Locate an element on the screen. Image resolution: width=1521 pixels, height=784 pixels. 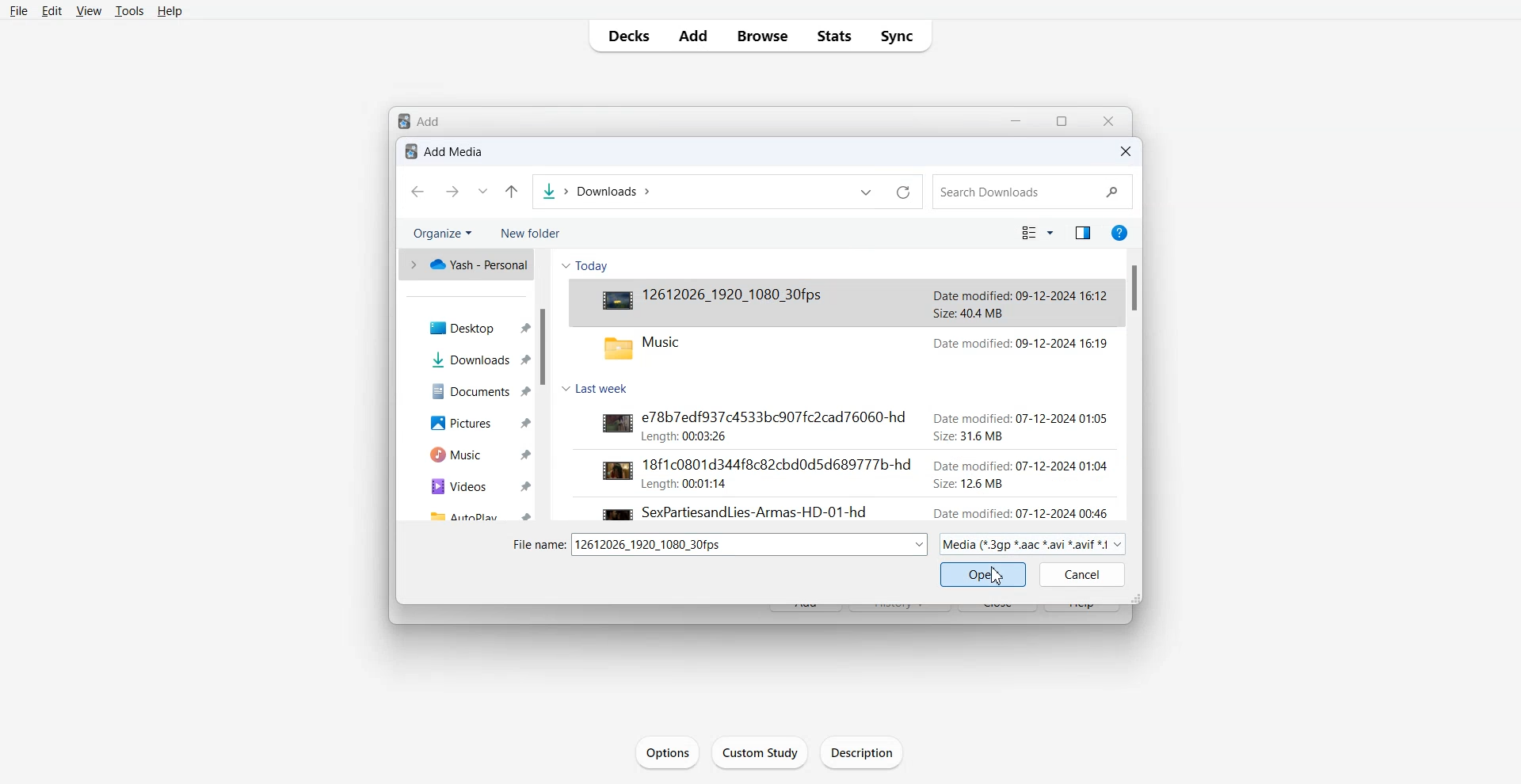
File Path Adress is located at coordinates (598, 191).